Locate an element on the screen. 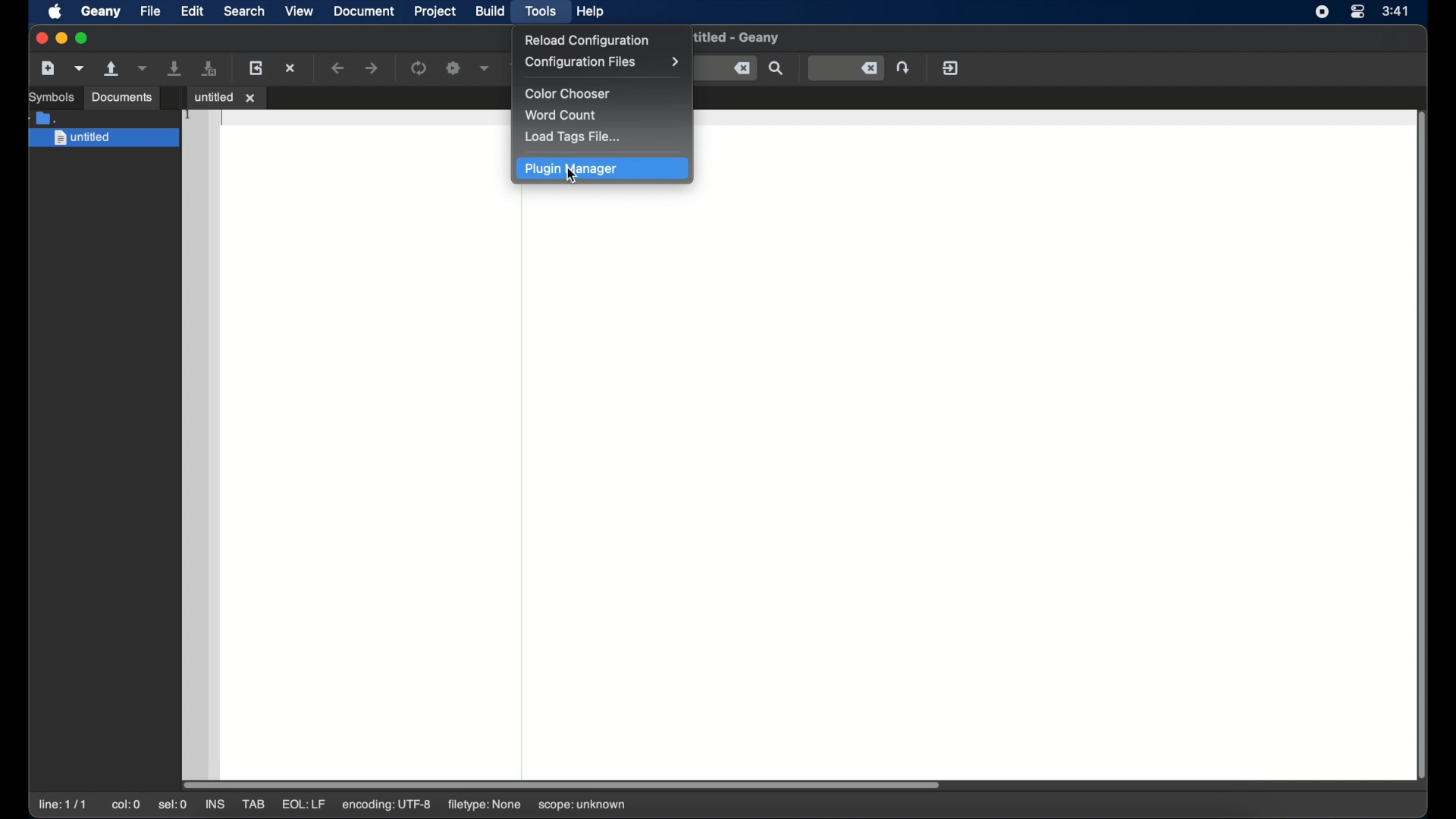 This screenshot has height=819, width=1456. divider is located at coordinates (521, 480).